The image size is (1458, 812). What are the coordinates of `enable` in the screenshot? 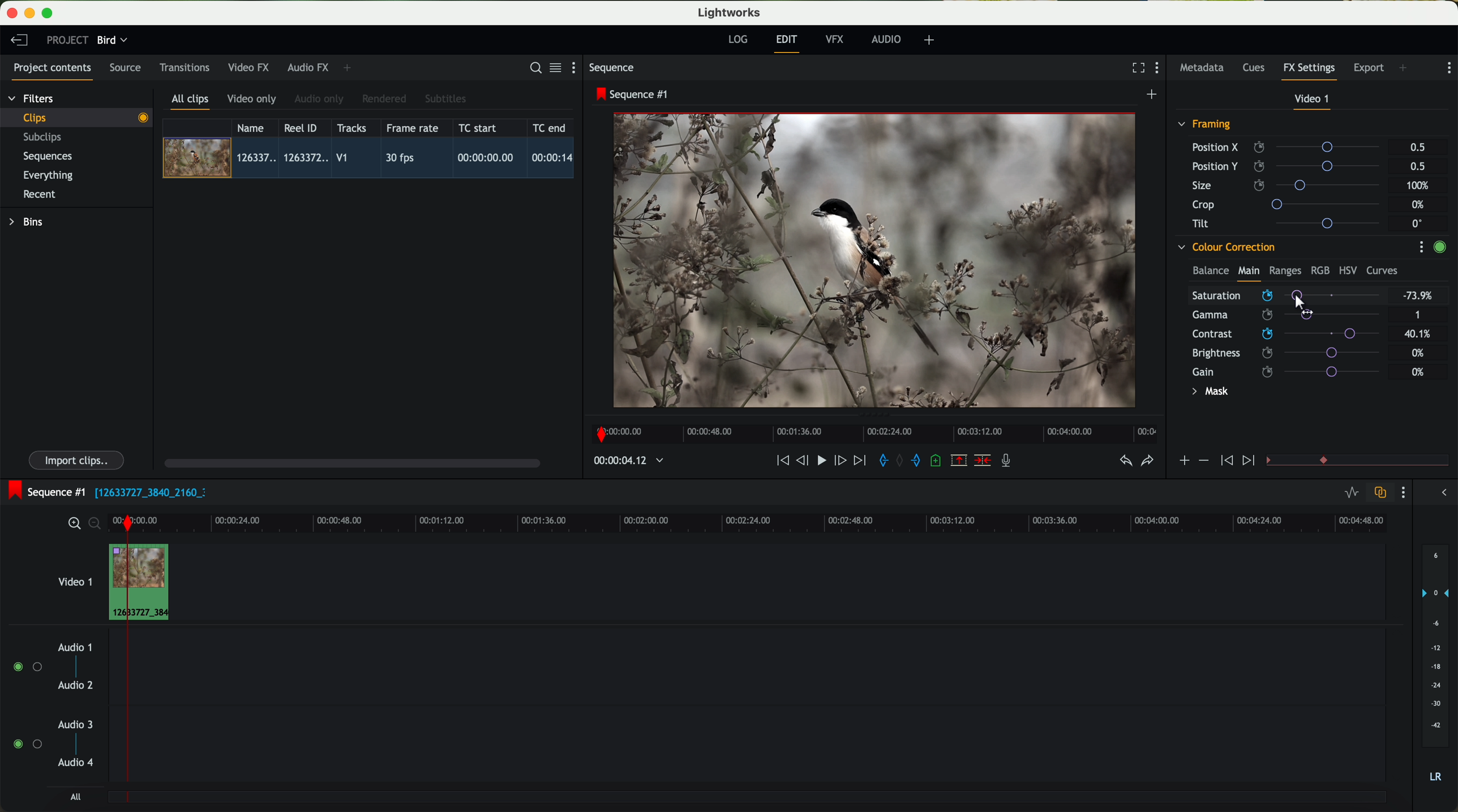 It's located at (1439, 248).